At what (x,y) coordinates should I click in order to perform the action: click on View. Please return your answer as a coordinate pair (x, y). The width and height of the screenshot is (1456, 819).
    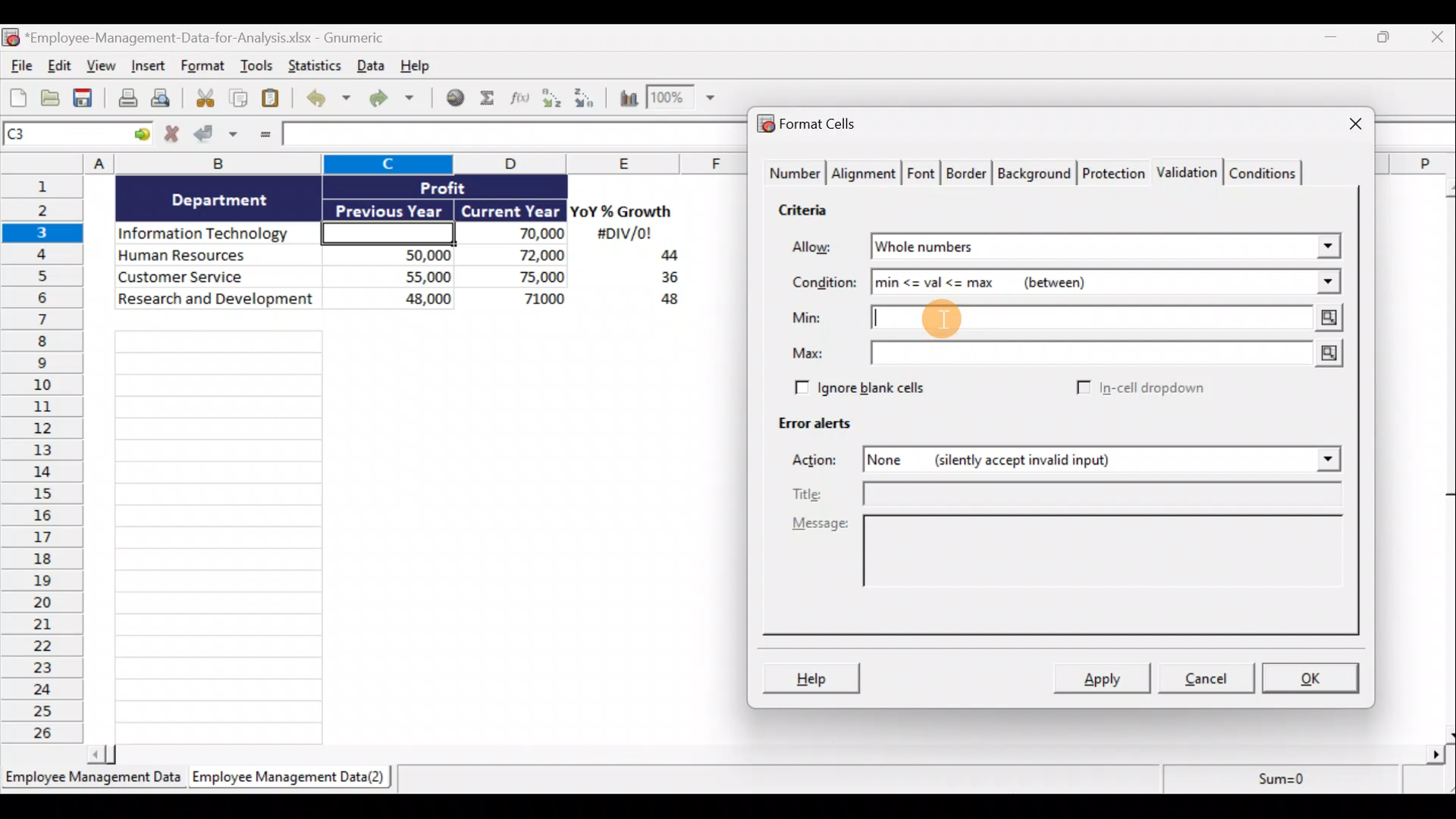
    Looking at the image, I should click on (103, 67).